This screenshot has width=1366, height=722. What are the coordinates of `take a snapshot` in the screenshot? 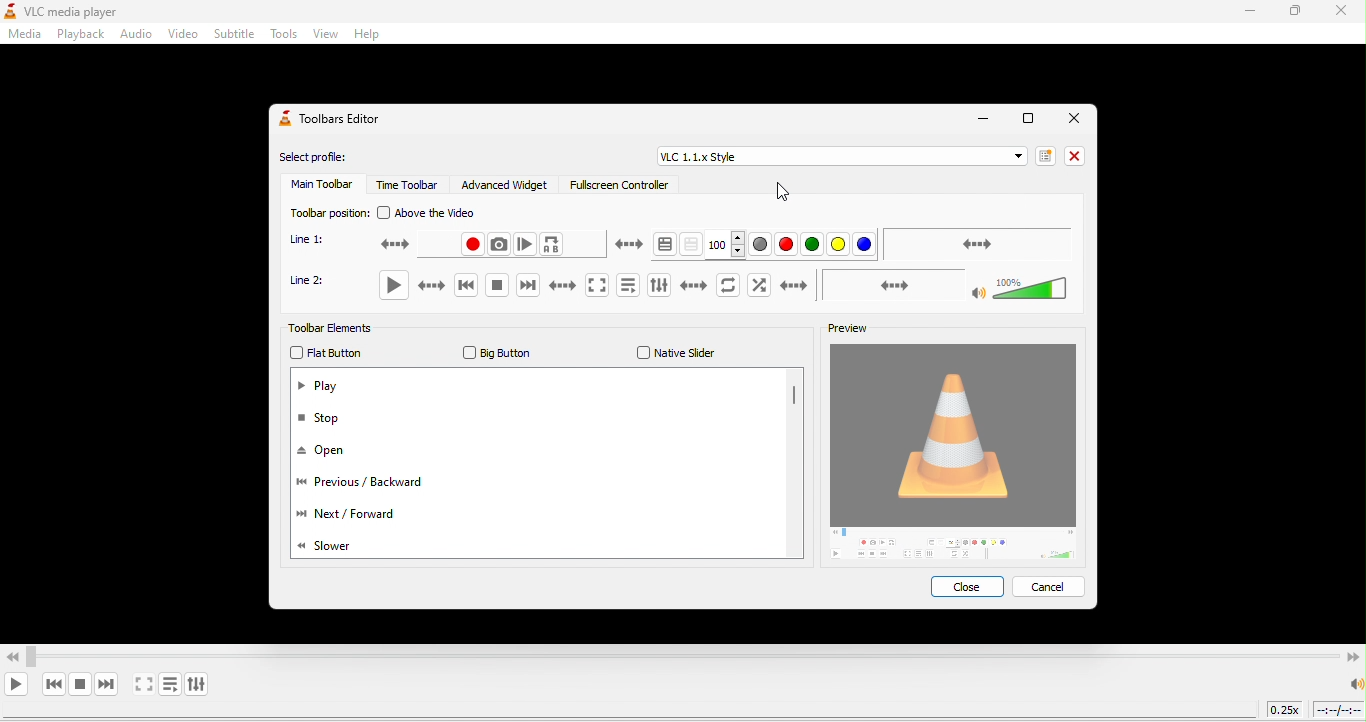 It's located at (499, 243).